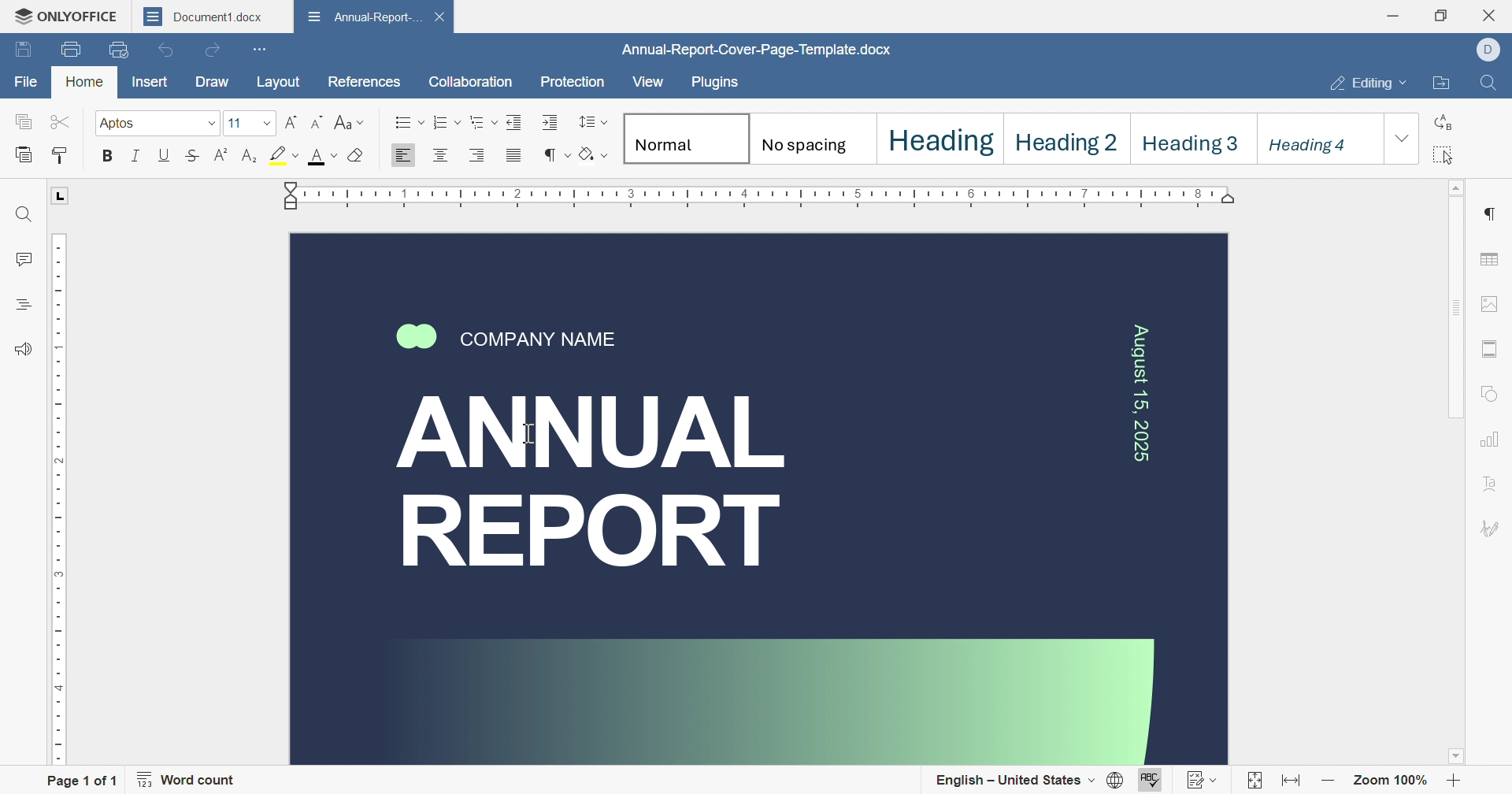  Describe the element at coordinates (647, 83) in the screenshot. I see `view` at that location.